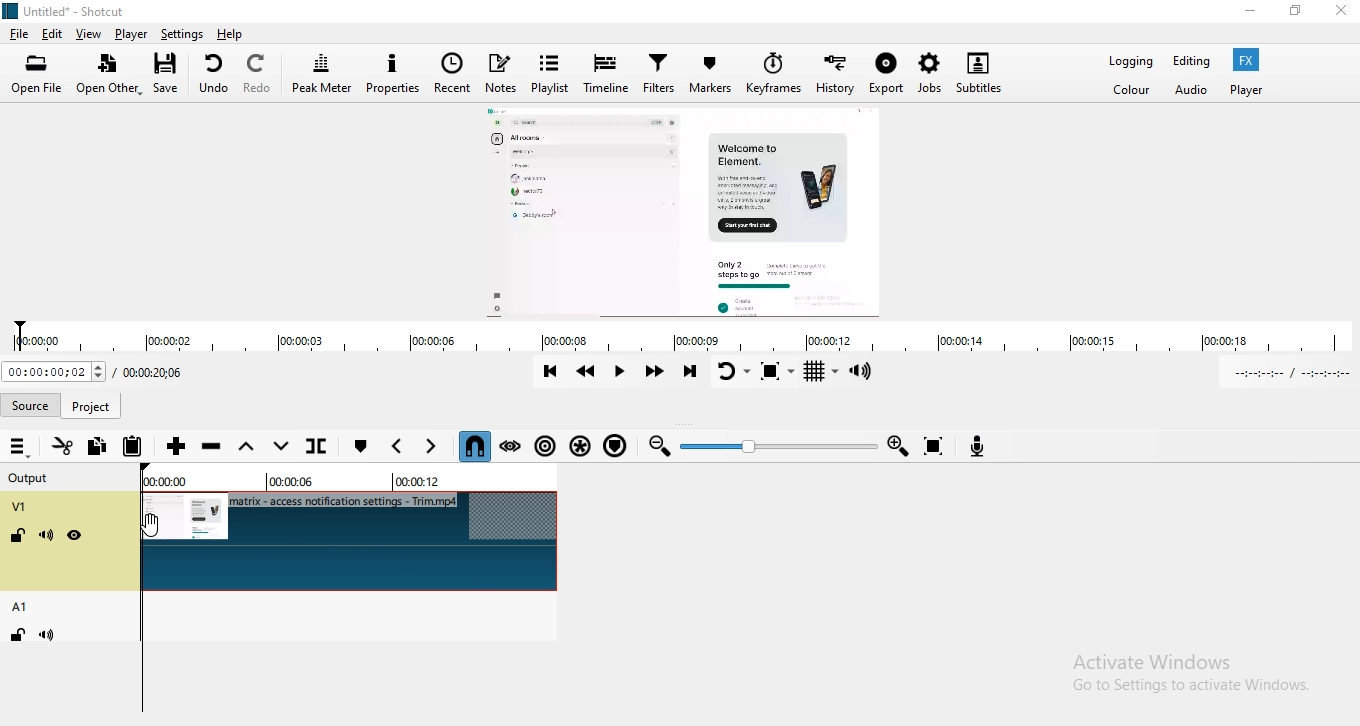 The image size is (1360, 726). Describe the element at coordinates (53, 34) in the screenshot. I see `Edit` at that location.